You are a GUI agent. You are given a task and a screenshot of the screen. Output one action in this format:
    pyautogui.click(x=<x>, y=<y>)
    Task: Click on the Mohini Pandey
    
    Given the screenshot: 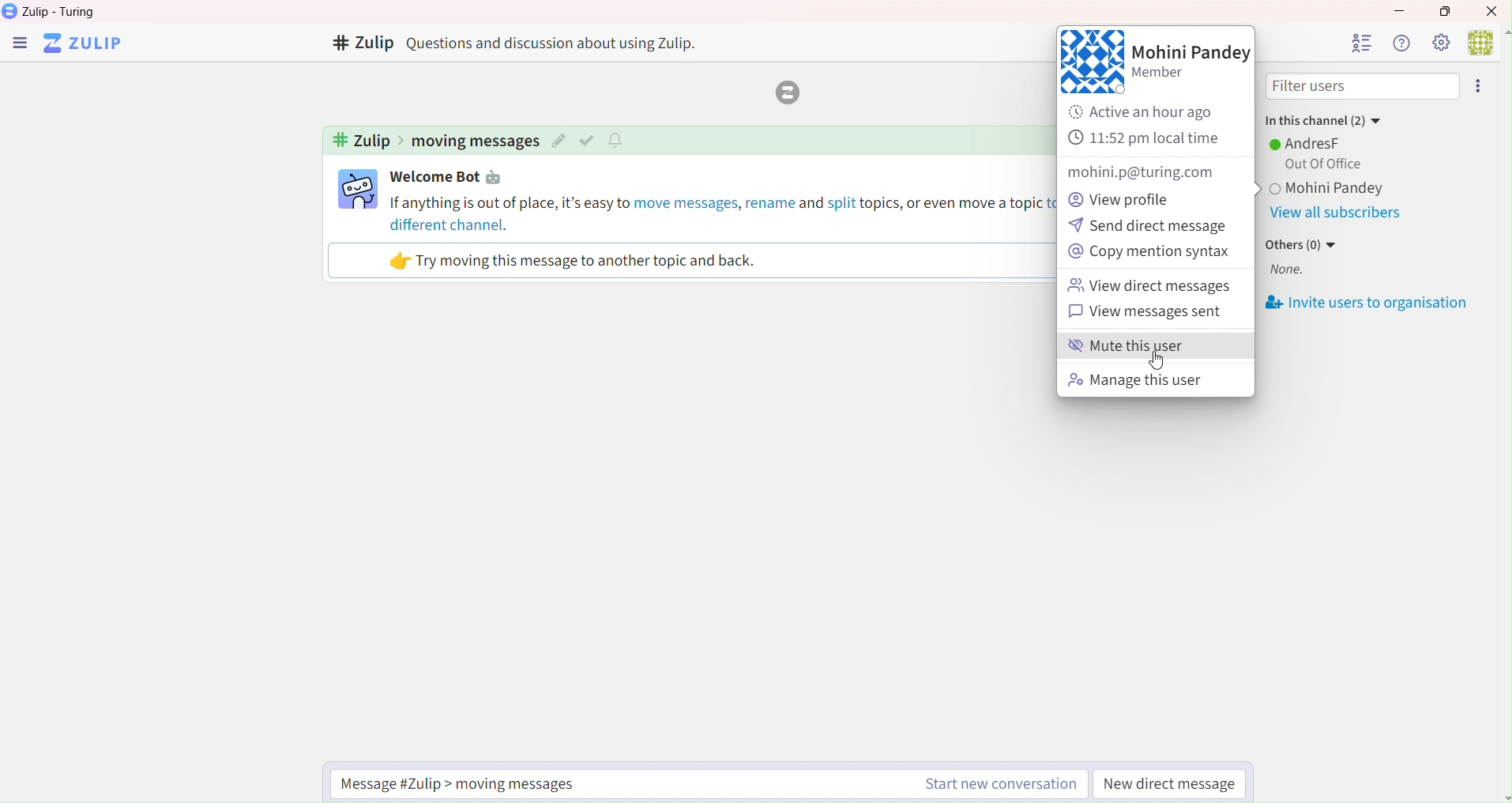 What is the action you would take?
    pyautogui.click(x=1191, y=52)
    